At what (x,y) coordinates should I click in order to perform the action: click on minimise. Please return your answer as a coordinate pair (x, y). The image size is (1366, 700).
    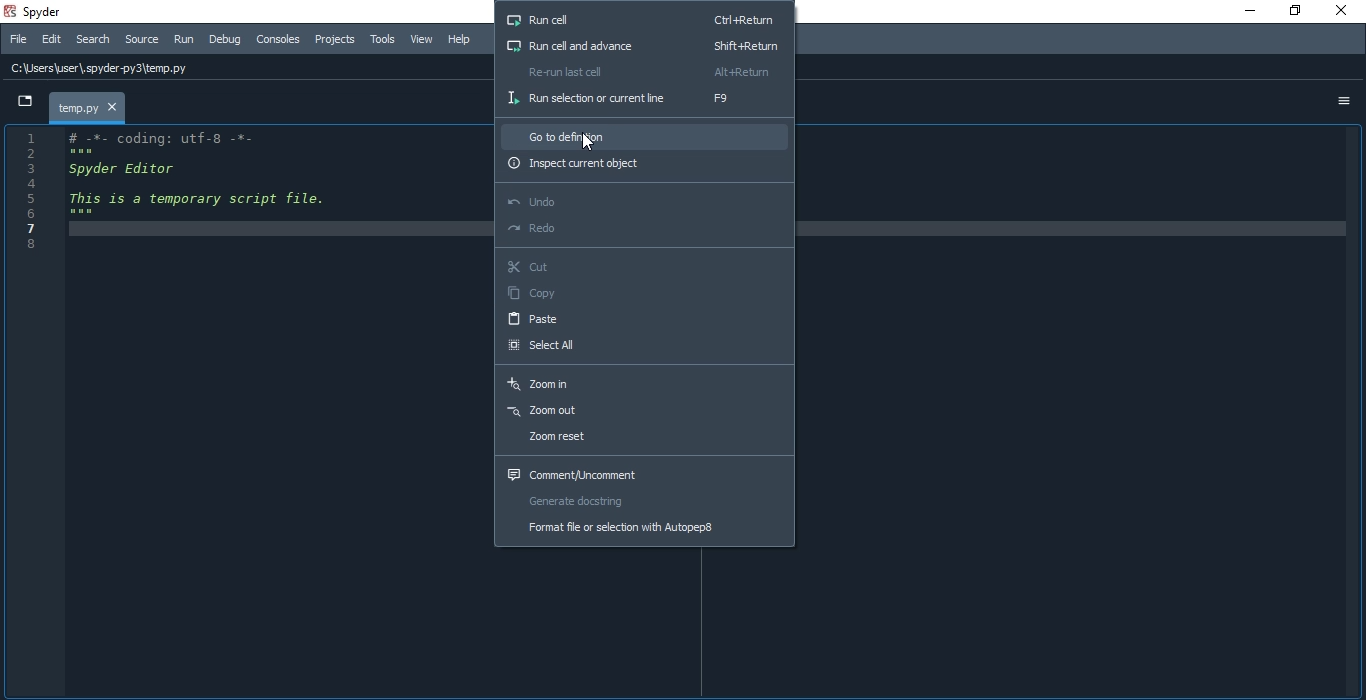
    Looking at the image, I should click on (1244, 10).